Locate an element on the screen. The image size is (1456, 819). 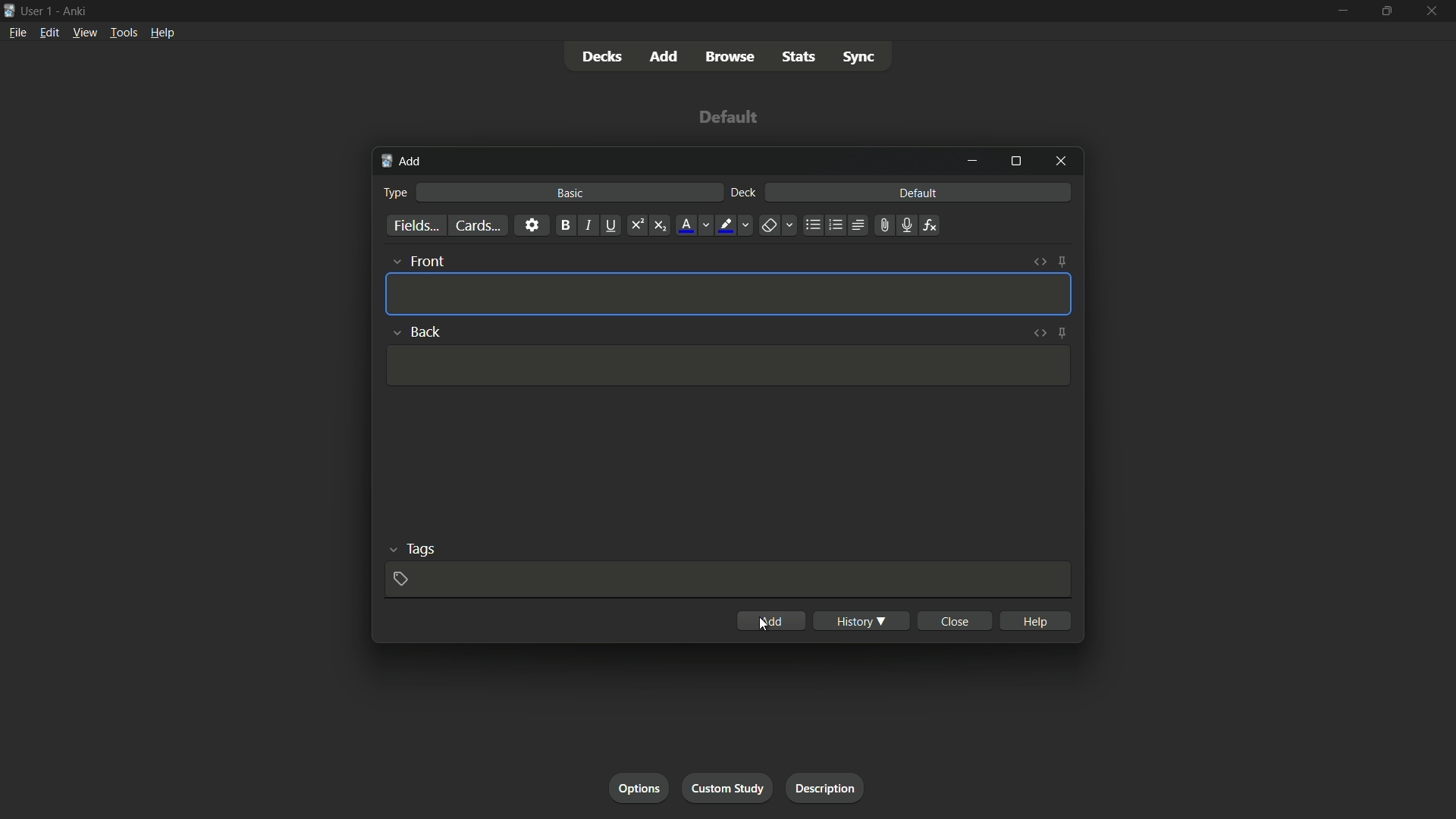
equations is located at coordinates (932, 225).